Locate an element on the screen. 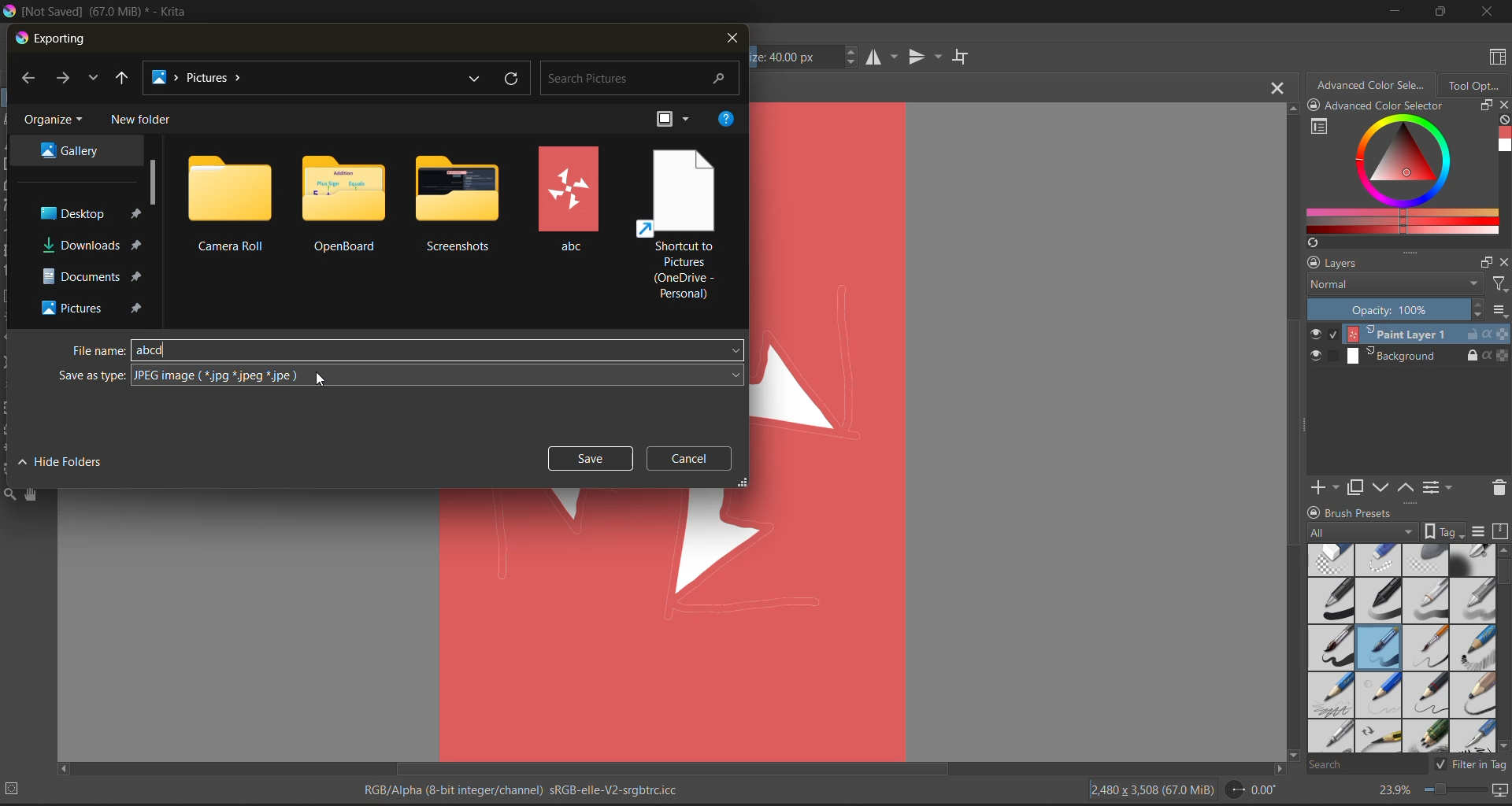 This screenshot has height=806, width=1512. wrap around mode is located at coordinates (962, 57).